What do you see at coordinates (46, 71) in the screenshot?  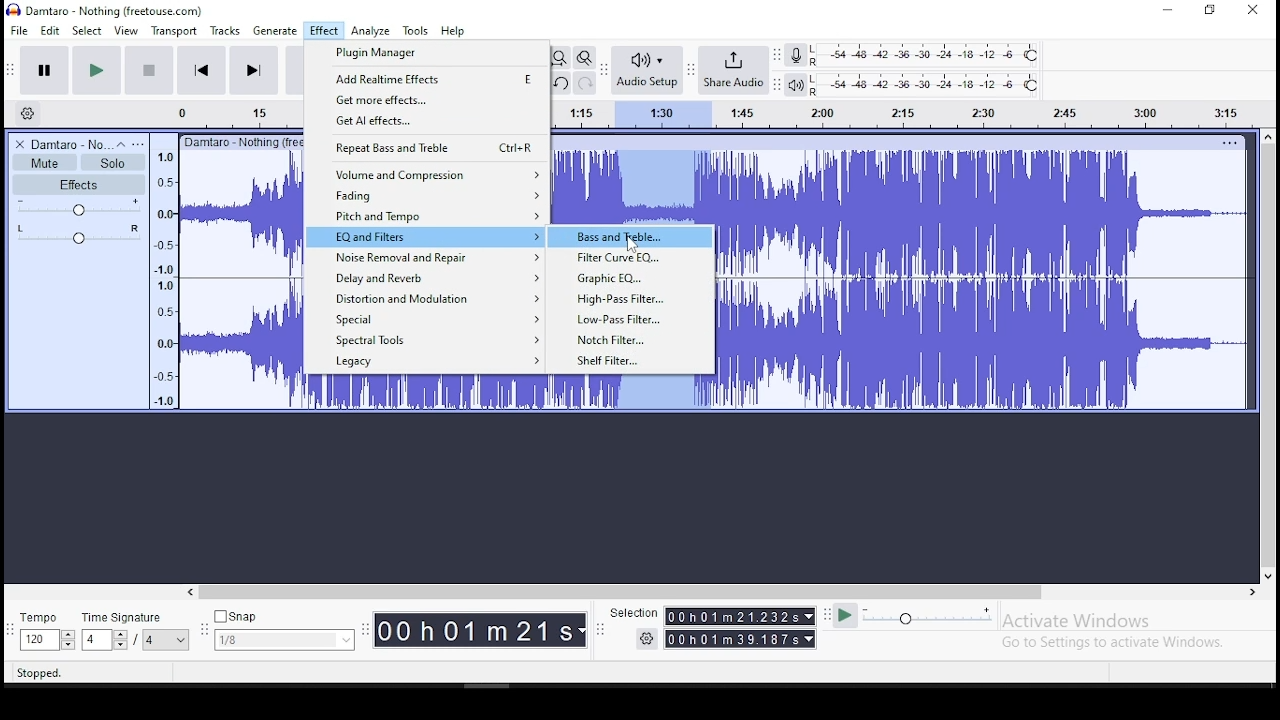 I see `pause` at bounding box center [46, 71].